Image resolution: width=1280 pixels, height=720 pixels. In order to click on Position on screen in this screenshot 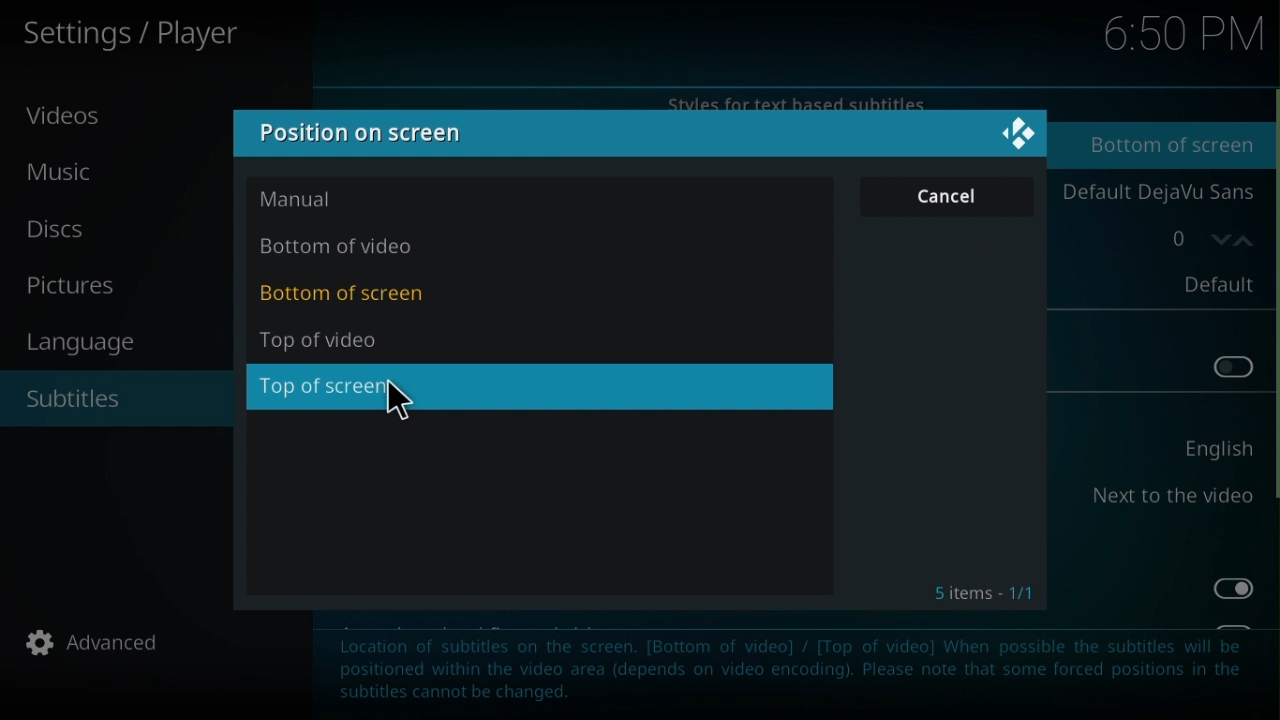, I will do `click(359, 130)`.